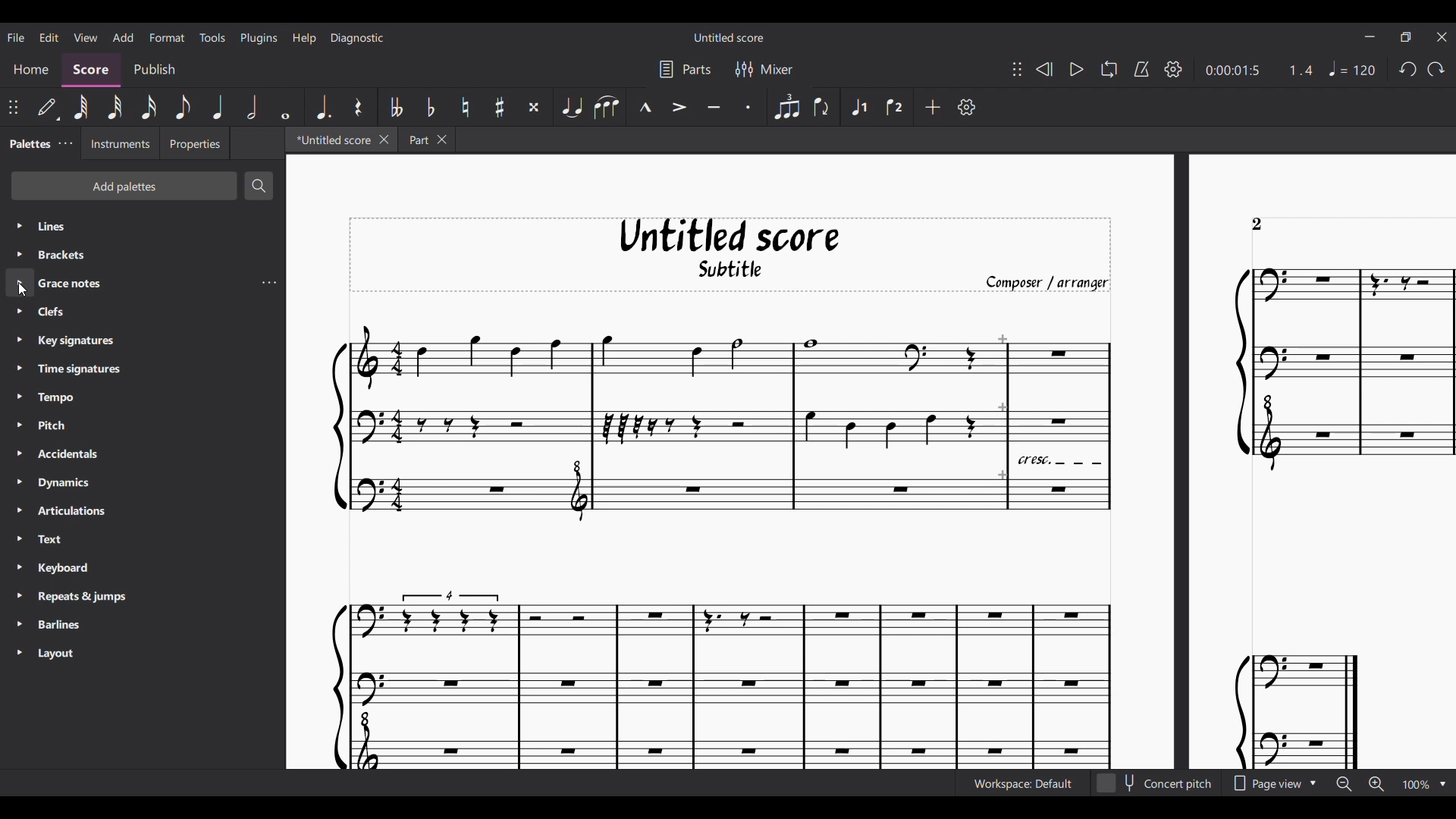  What do you see at coordinates (1407, 70) in the screenshot?
I see `Undo` at bounding box center [1407, 70].